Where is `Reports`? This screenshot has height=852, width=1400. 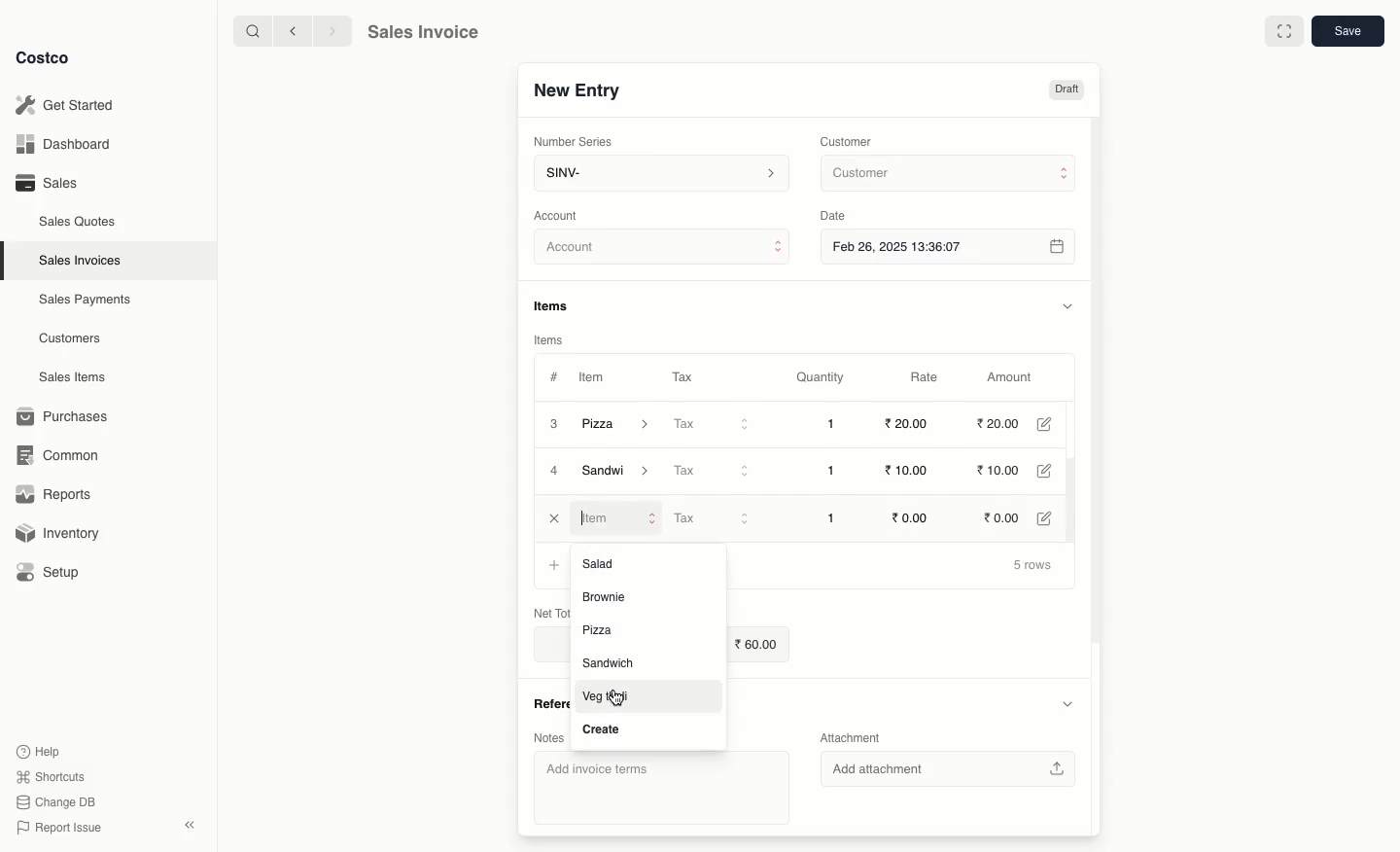
Reports is located at coordinates (54, 496).